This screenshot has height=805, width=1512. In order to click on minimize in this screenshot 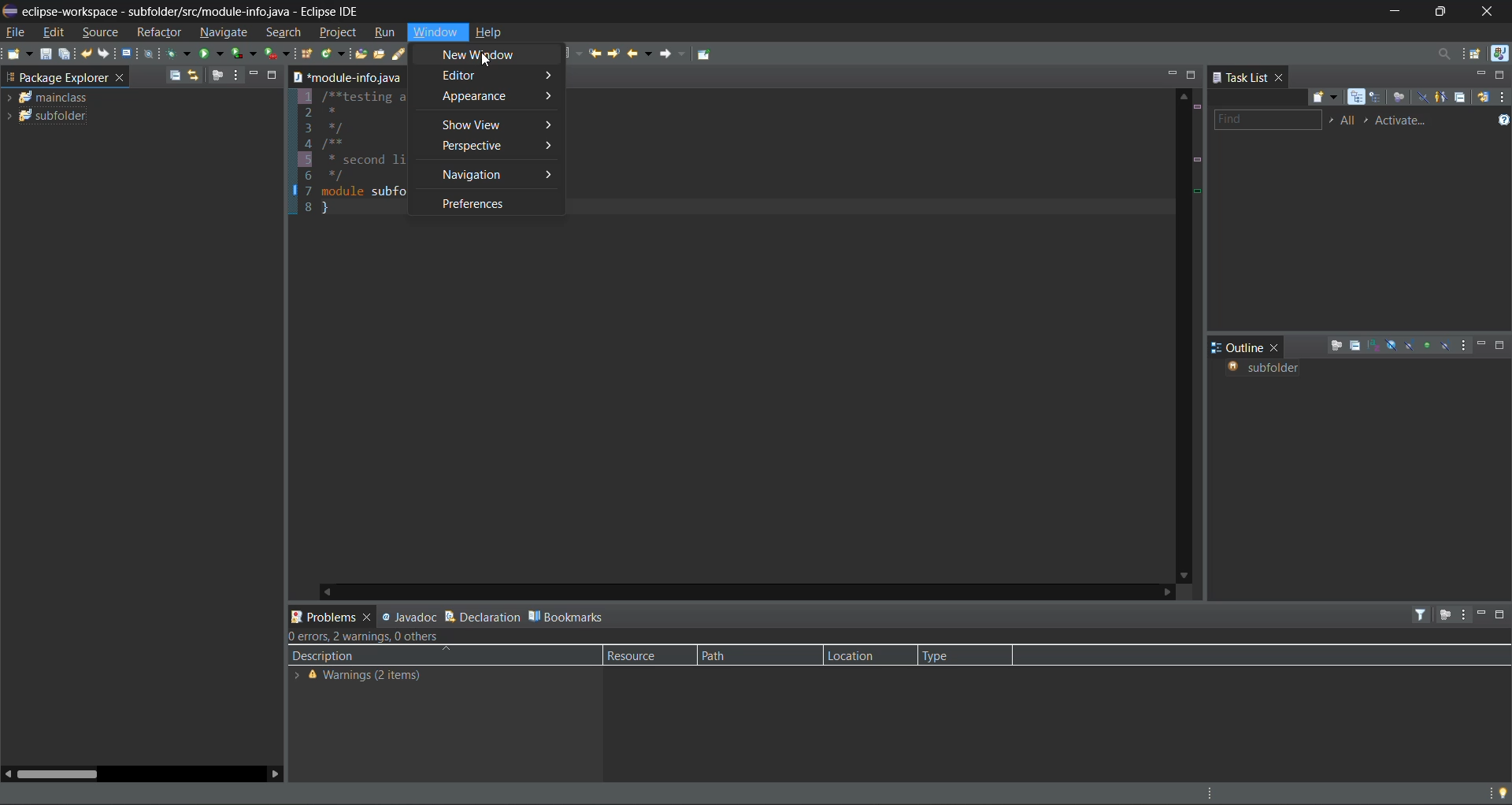, I will do `click(1169, 74)`.